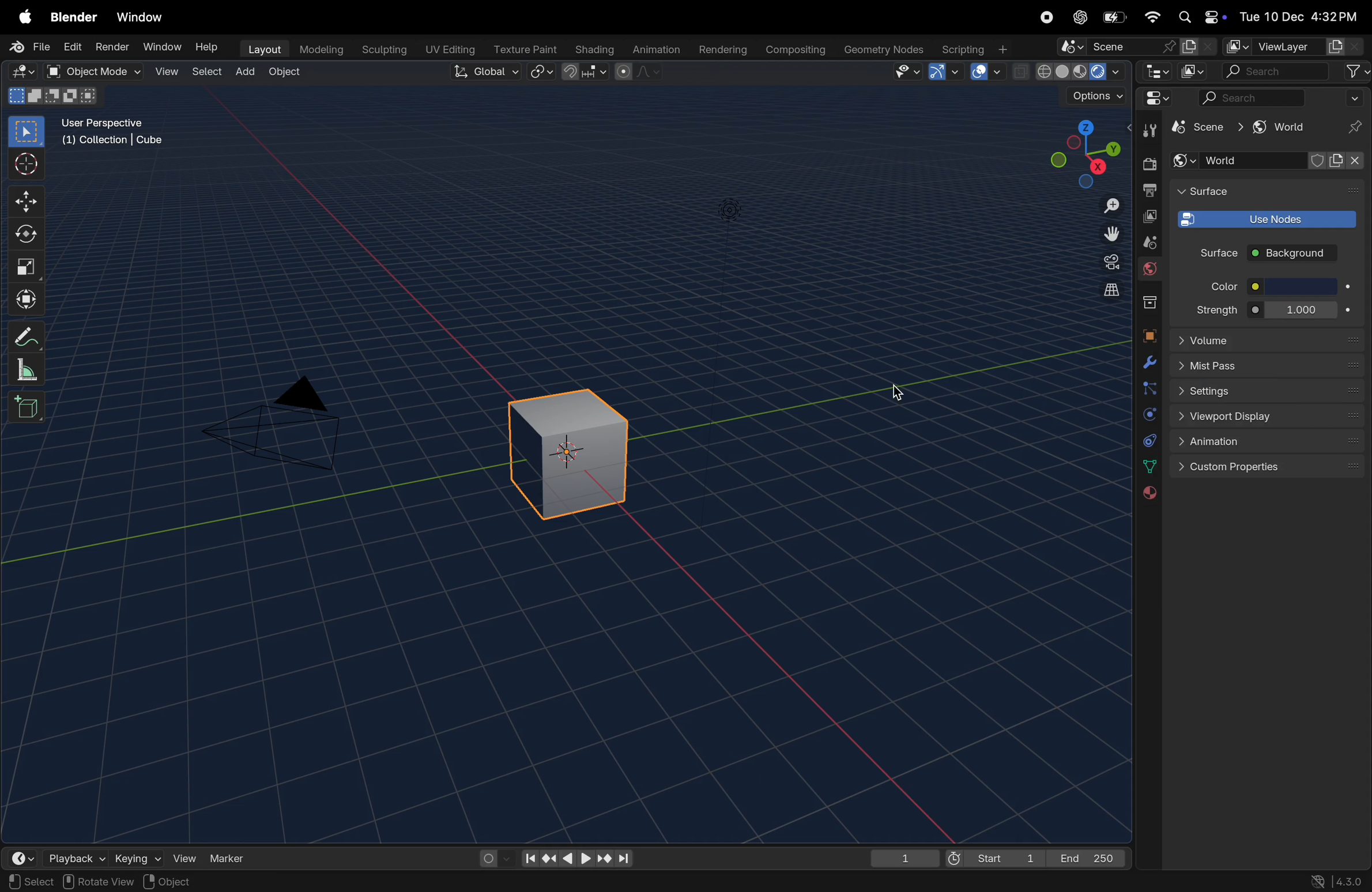 The width and height of the screenshot is (1372, 892). I want to click on bar, so click(1303, 287).